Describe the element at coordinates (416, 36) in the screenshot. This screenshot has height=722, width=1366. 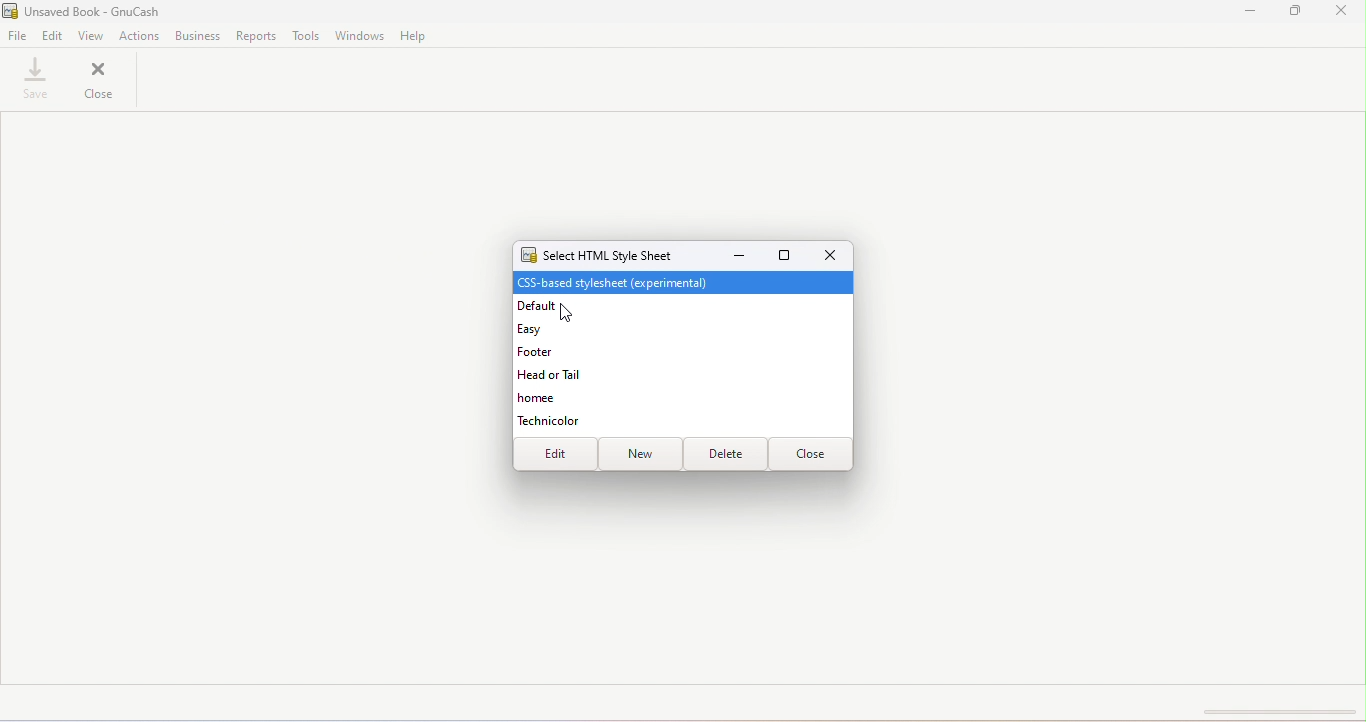
I see `Help` at that location.